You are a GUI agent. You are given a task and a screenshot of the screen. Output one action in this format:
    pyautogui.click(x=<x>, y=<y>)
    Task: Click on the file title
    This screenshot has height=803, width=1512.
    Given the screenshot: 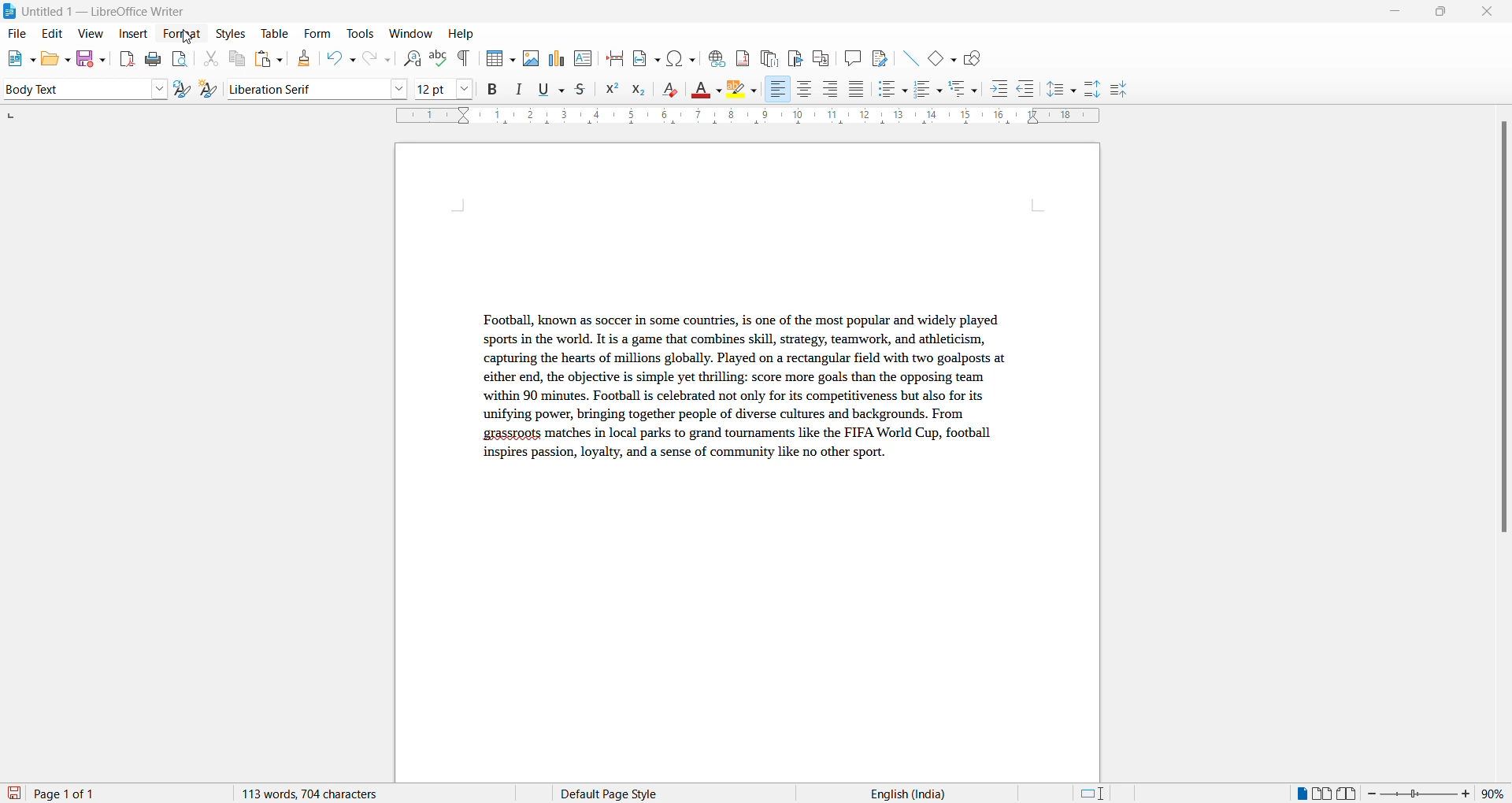 What is the action you would take?
    pyautogui.click(x=95, y=11)
    